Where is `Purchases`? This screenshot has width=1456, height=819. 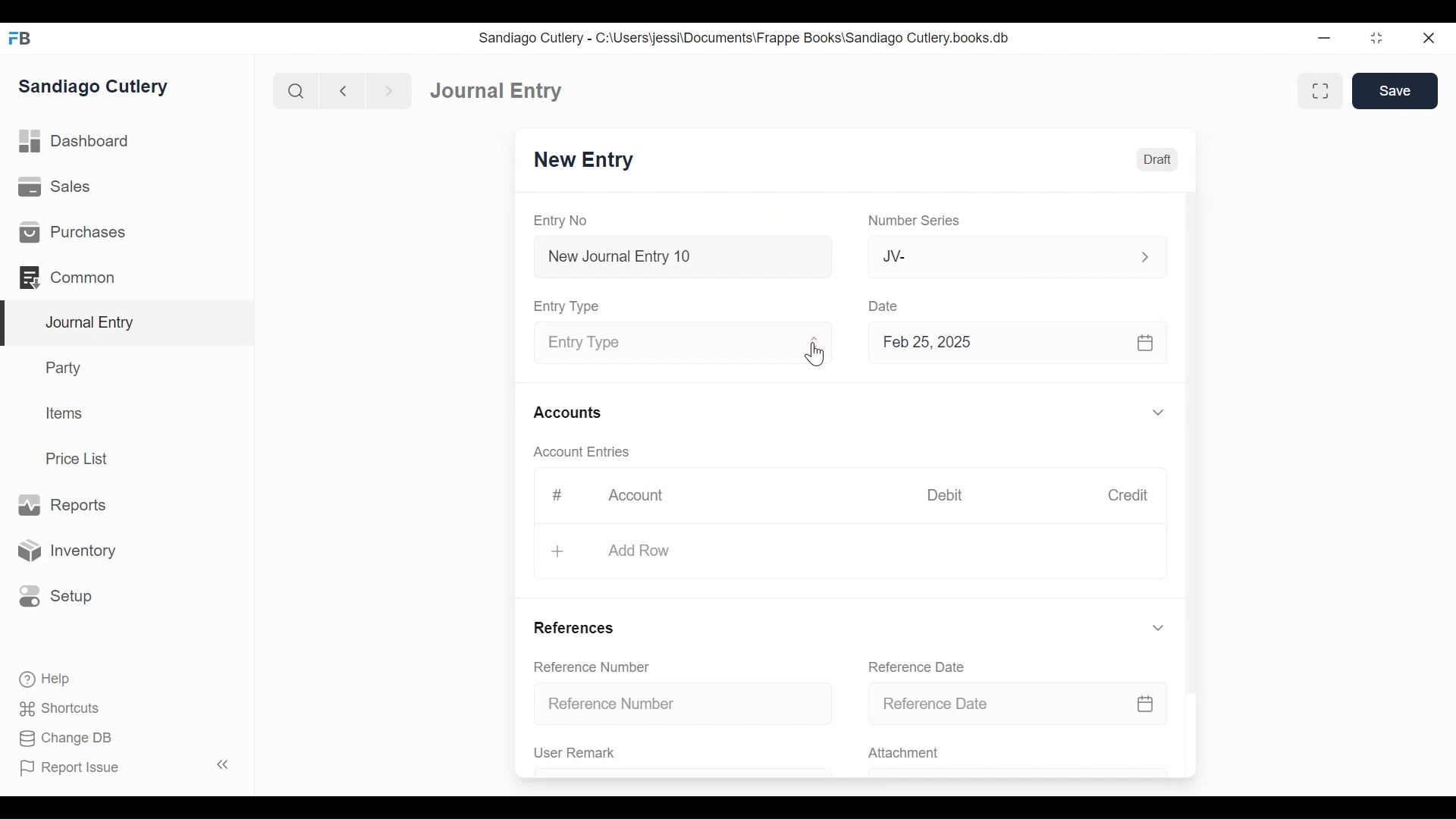 Purchases is located at coordinates (73, 233).